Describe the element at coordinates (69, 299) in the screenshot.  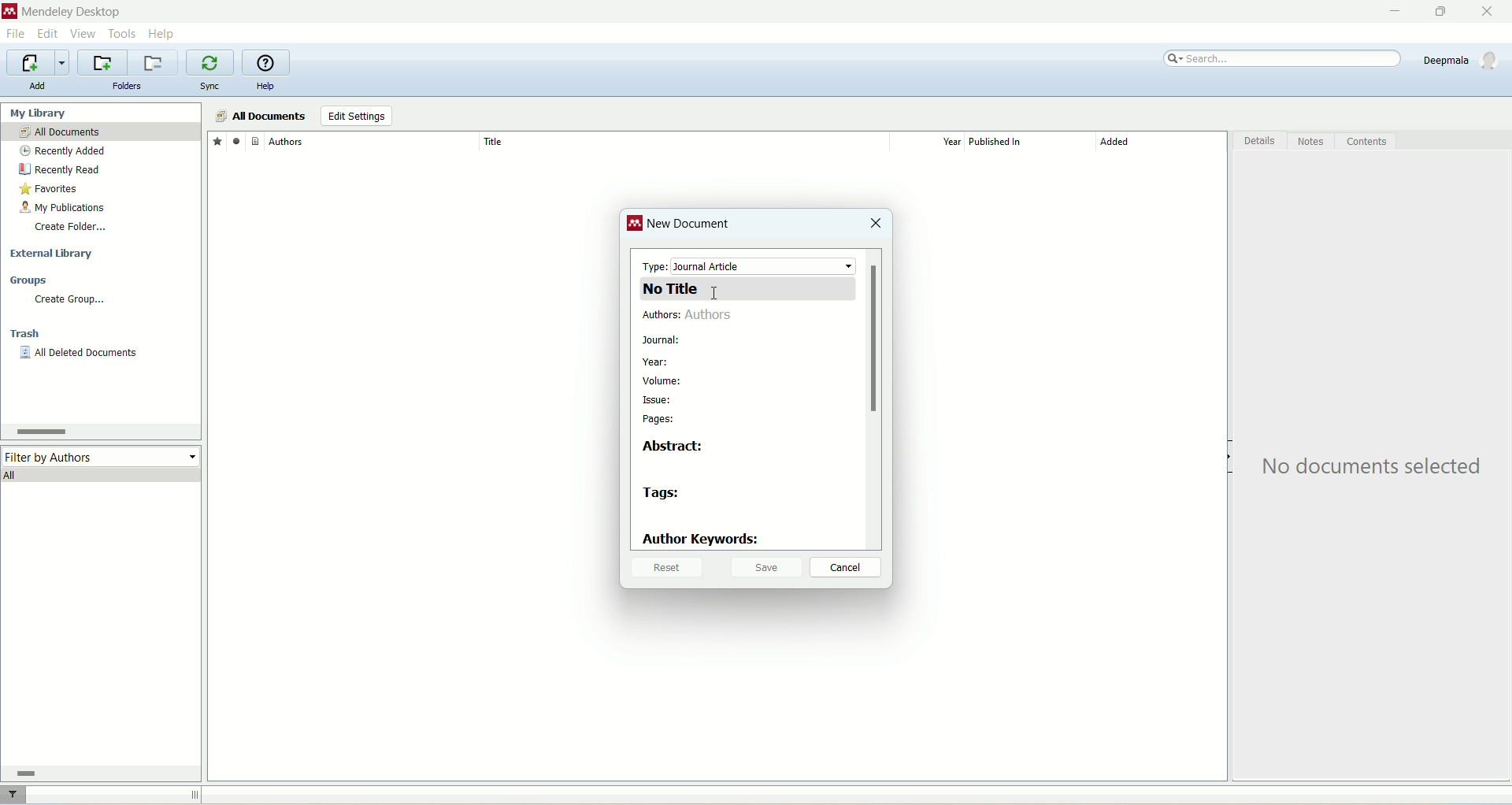
I see `create group` at that location.